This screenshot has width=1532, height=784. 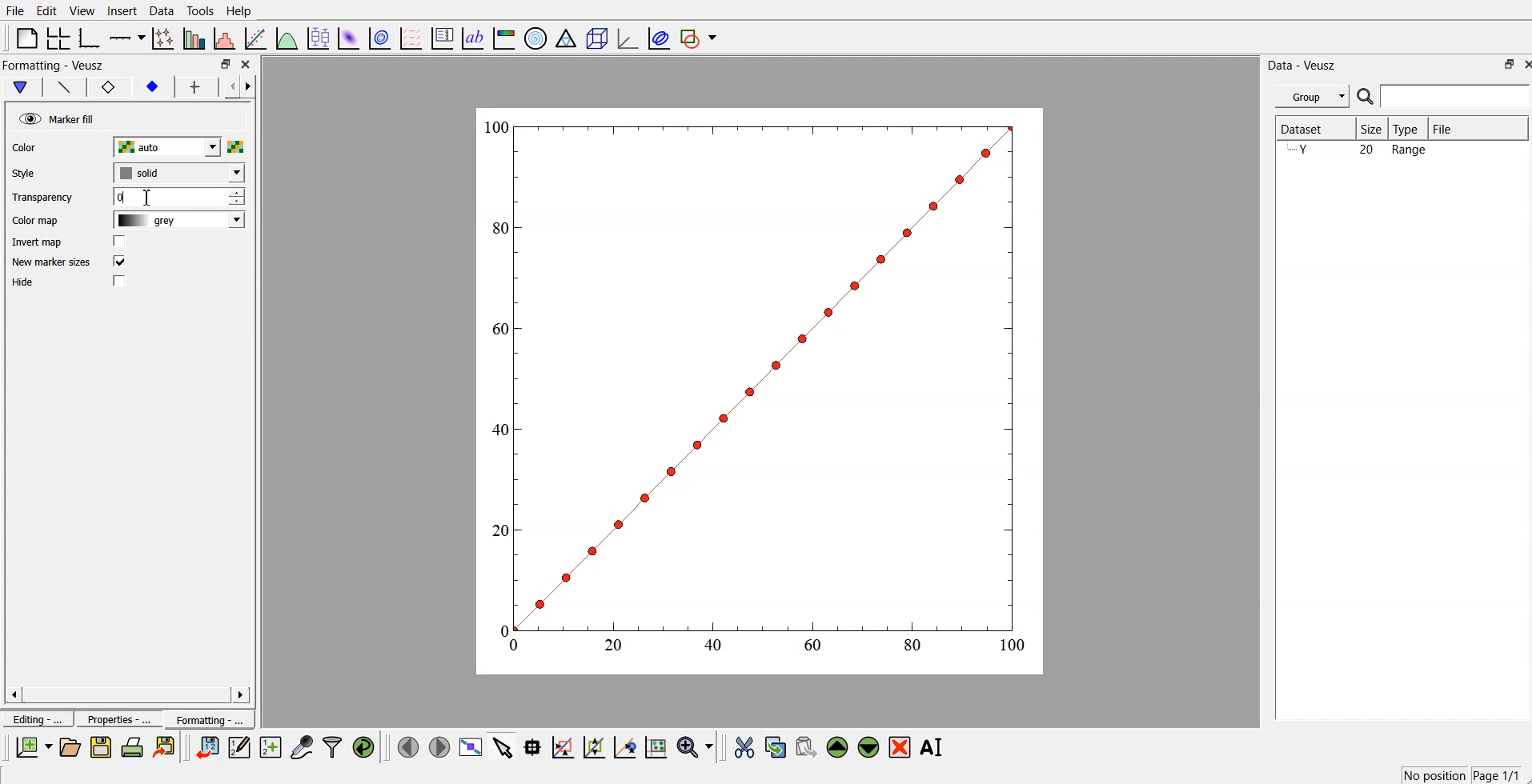 I want to click on move down, so click(x=869, y=746).